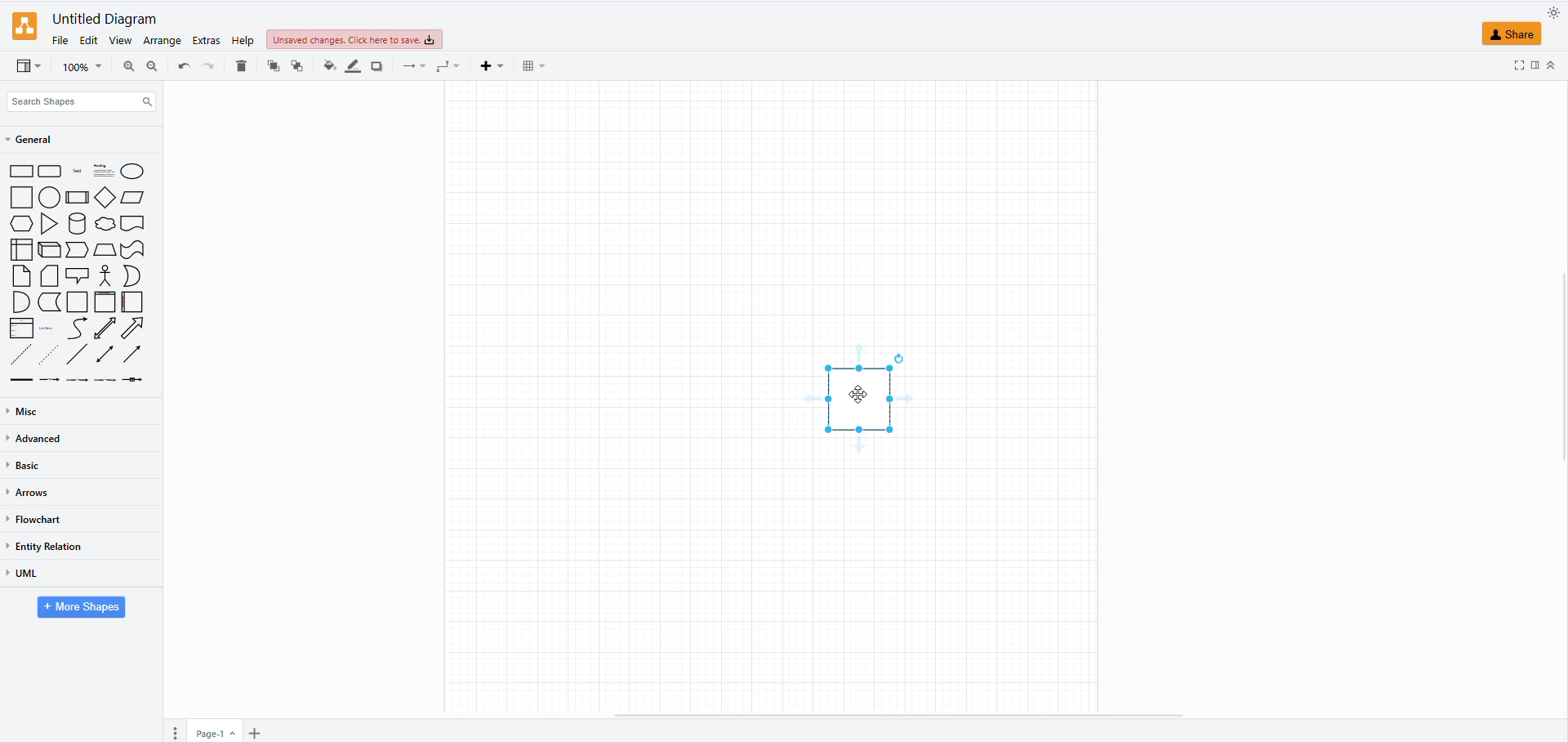 Image resolution: width=1568 pixels, height=742 pixels. What do you see at coordinates (134, 224) in the screenshot?
I see `document` at bounding box center [134, 224].